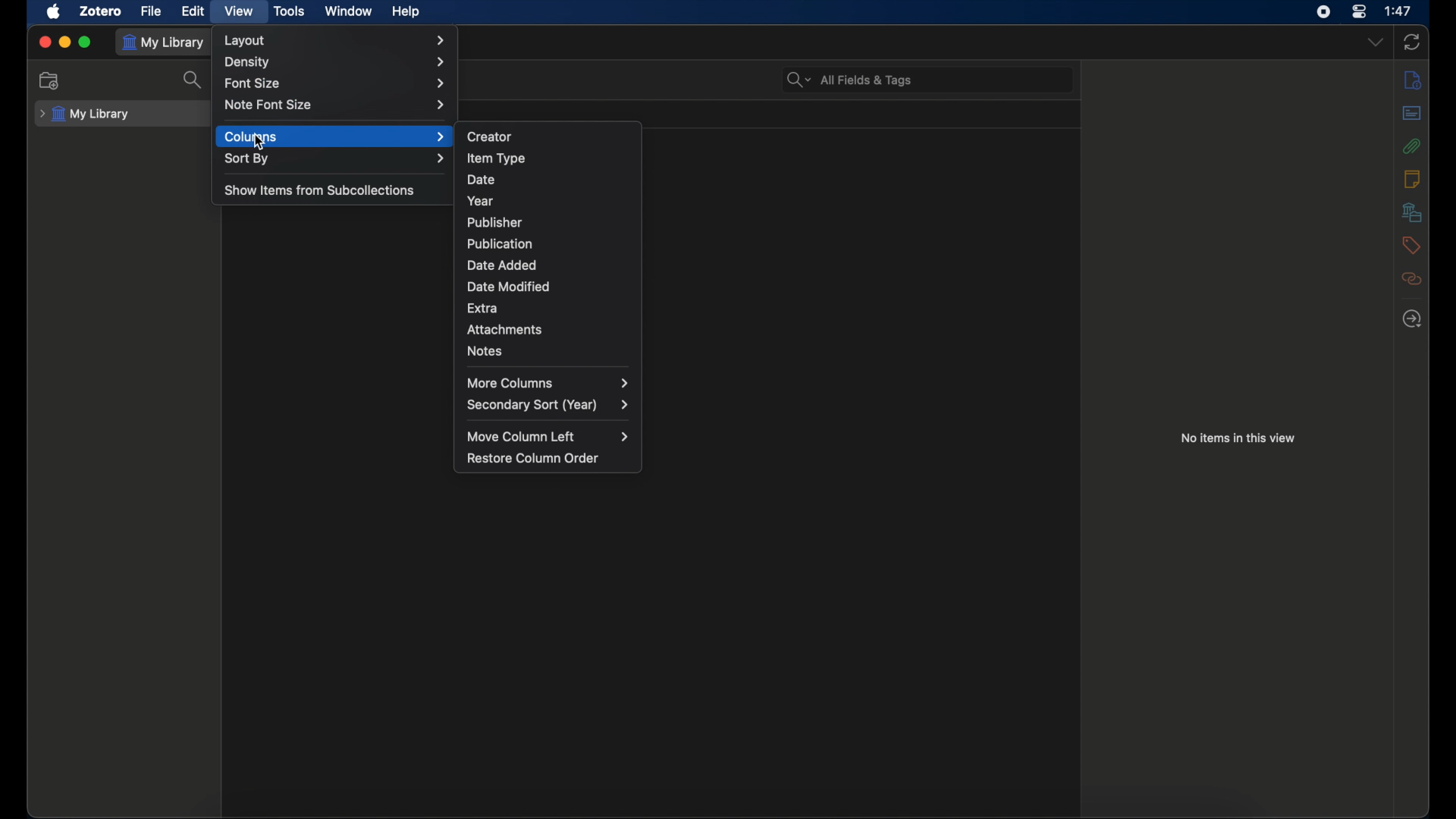  Describe the element at coordinates (510, 286) in the screenshot. I see `date modified` at that location.